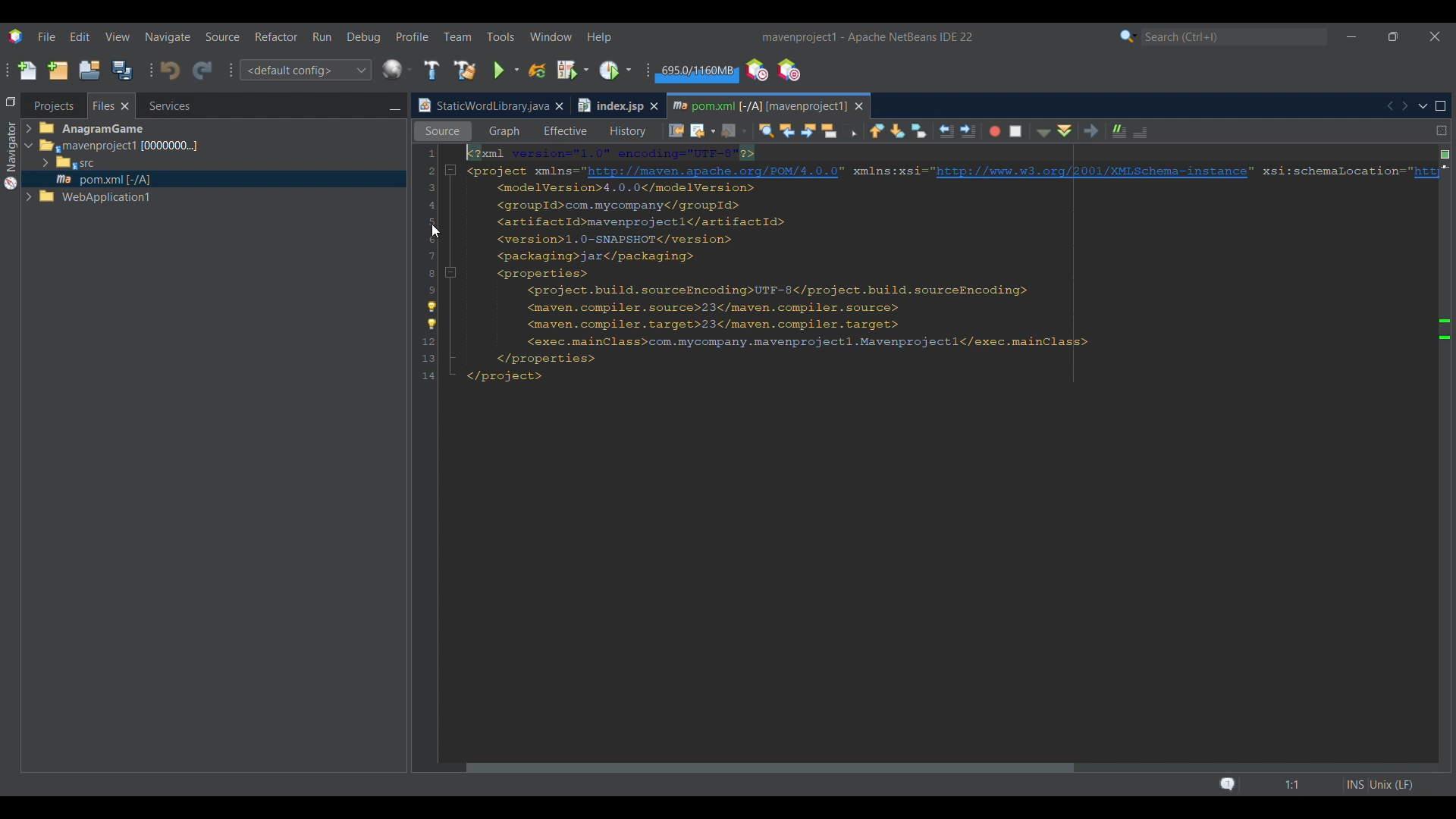 This screenshot has height=819, width=1456. Describe the element at coordinates (122, 70) in the screenshot. I see `Save all` at that location.